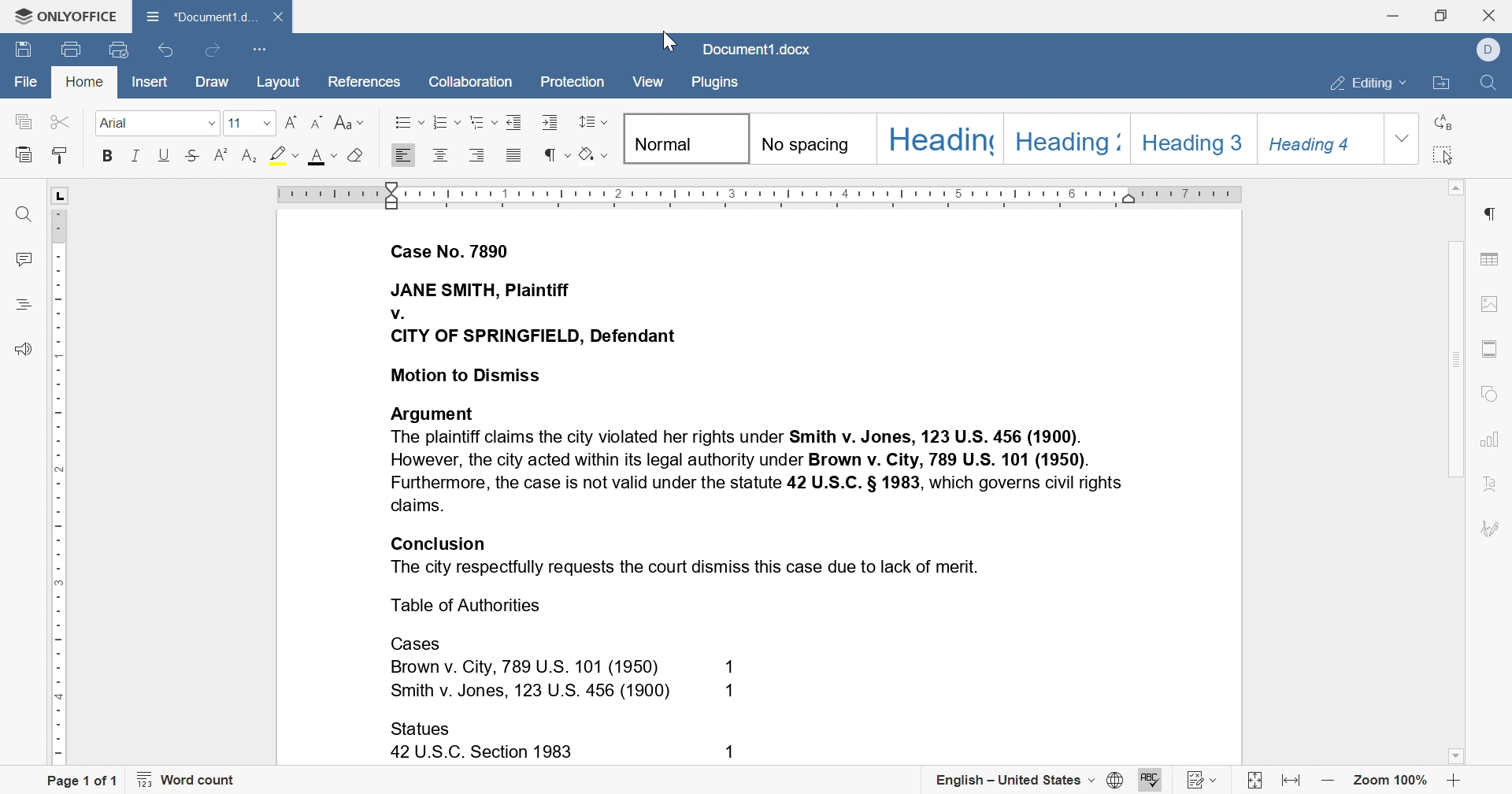  I want to click on numbering, so click(446, 122).